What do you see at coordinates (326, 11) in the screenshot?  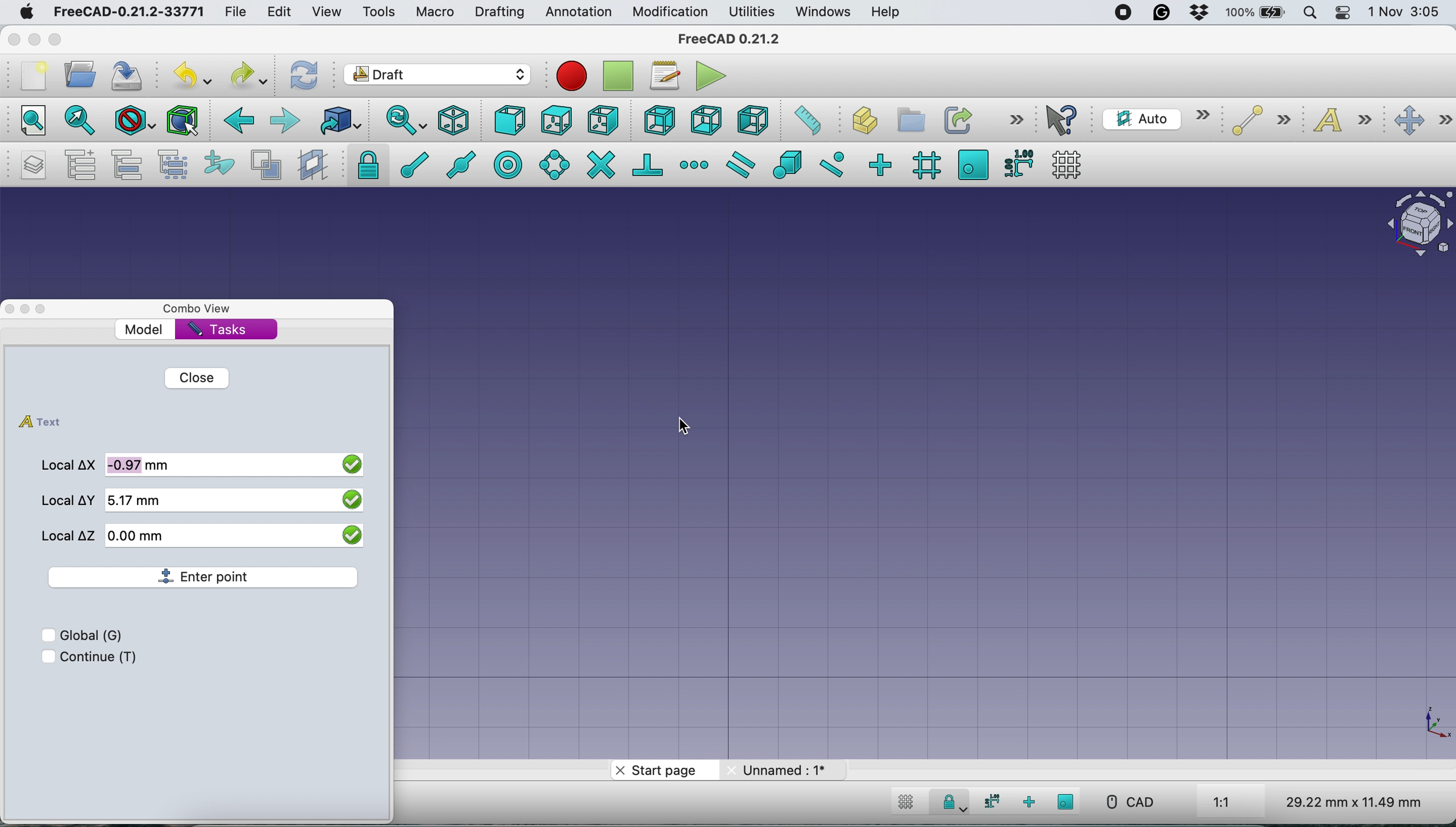 I see `view` at bounding box center [326, 11].